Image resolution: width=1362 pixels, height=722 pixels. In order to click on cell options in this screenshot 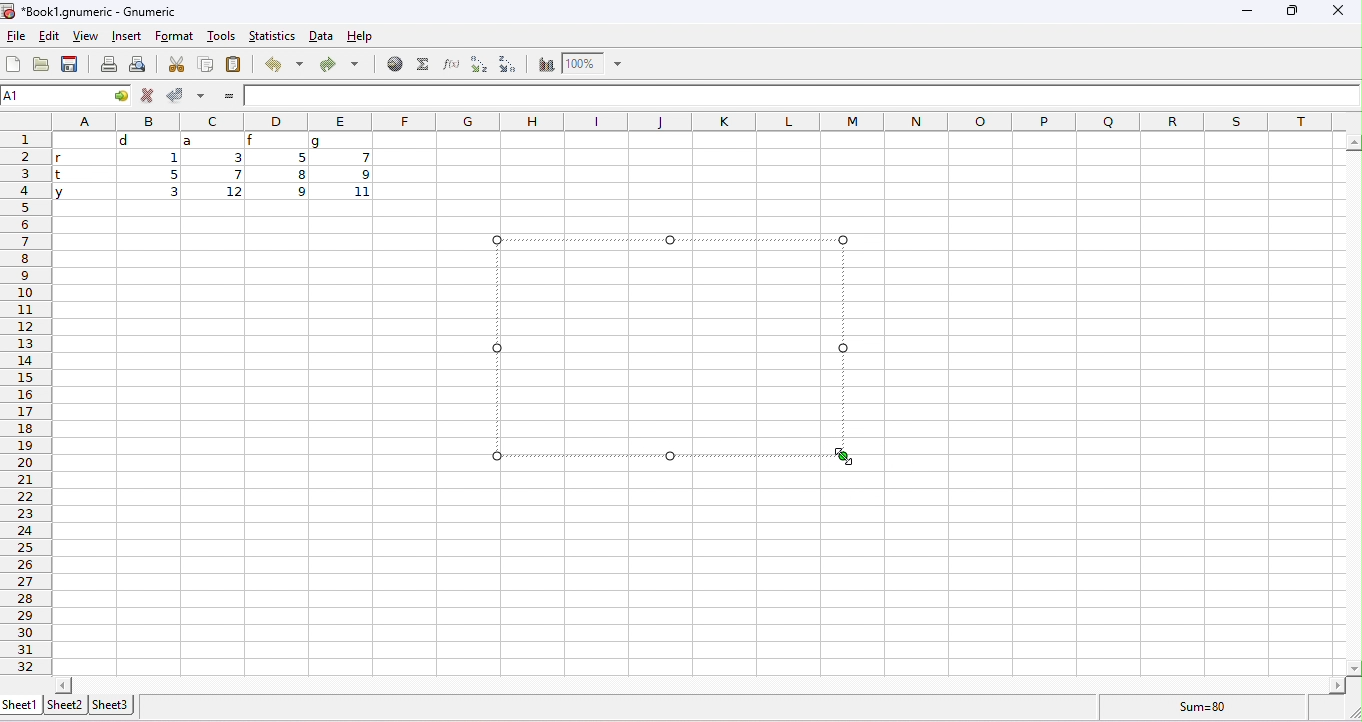, I will do `click(117, 96)`.